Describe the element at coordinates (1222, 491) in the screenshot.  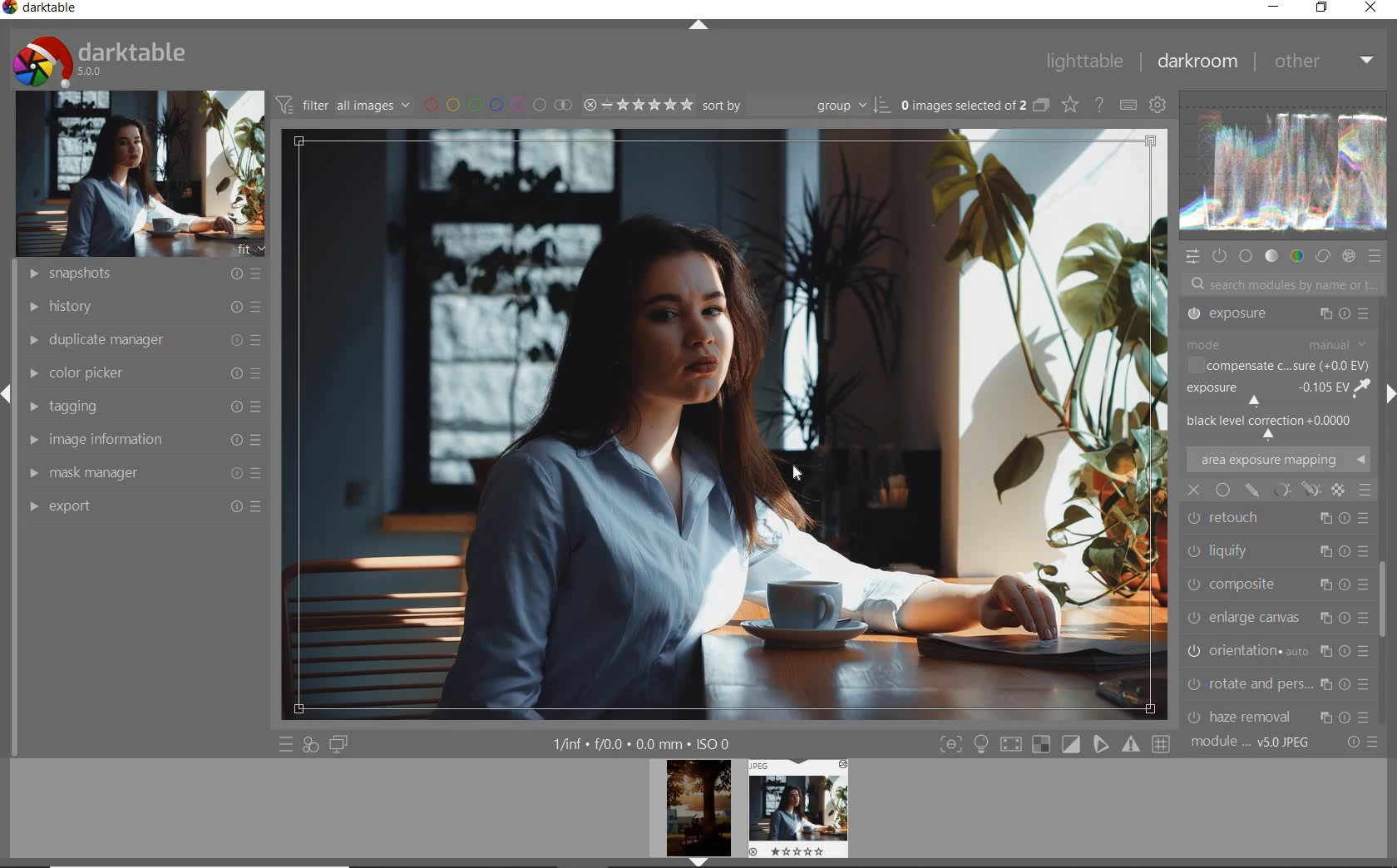
I see `uniformly` at that location.